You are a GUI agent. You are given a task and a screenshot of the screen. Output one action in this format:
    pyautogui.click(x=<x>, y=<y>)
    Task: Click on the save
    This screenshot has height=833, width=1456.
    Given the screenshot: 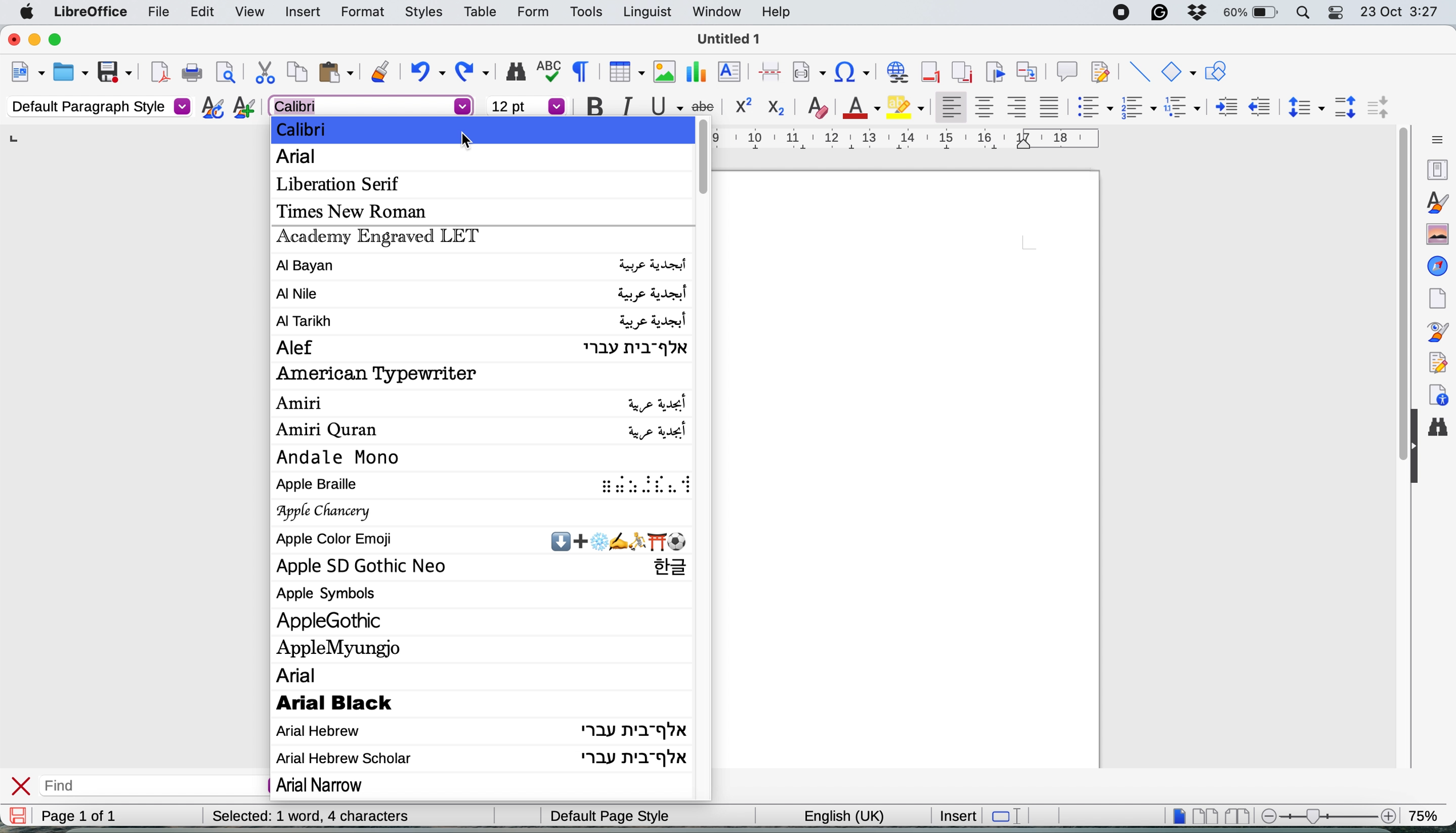 What is the action you would take?
    pyautogui.click(x=19, y=815)
    